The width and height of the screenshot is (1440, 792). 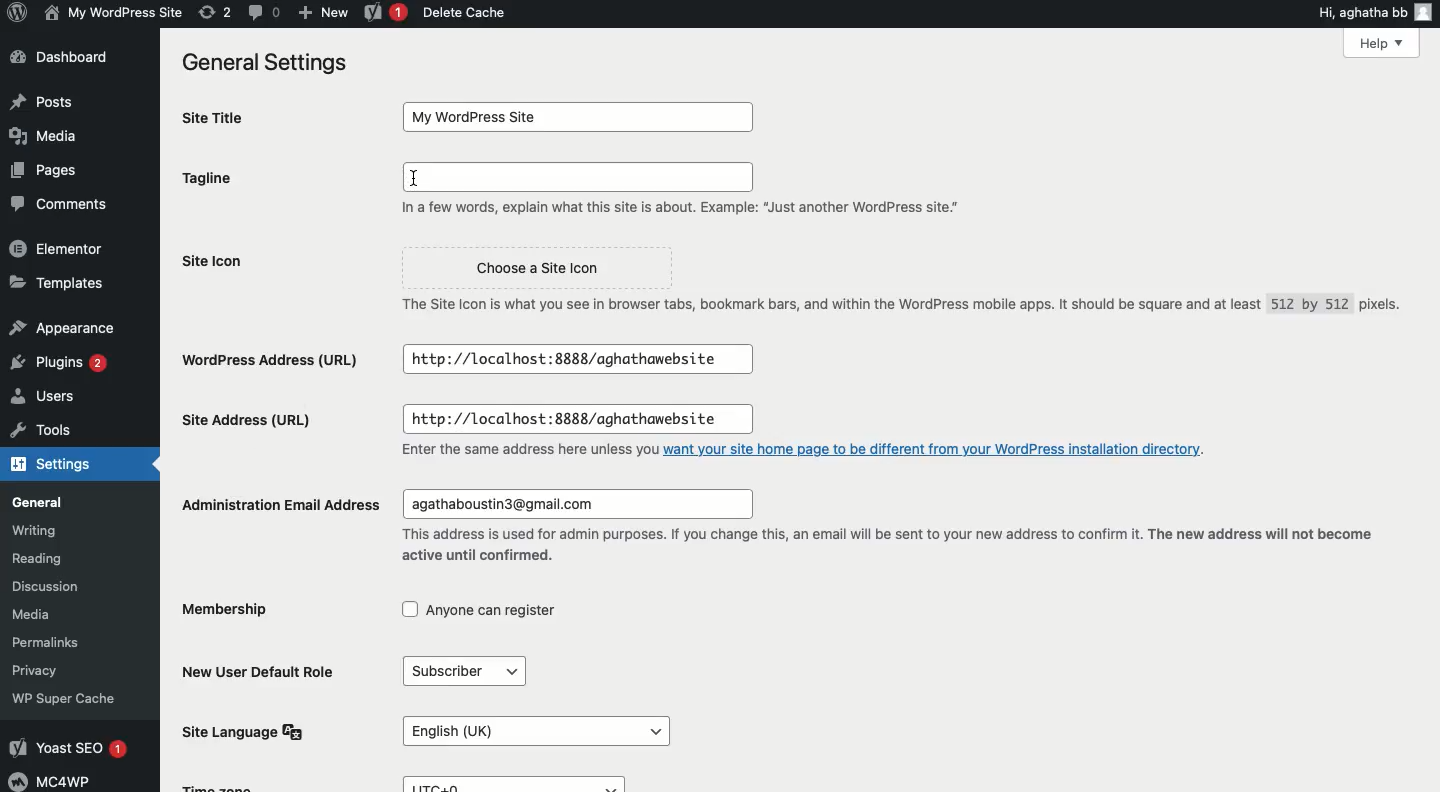 I want to click on  My Wordpress Site , so click(x=579, y=117).